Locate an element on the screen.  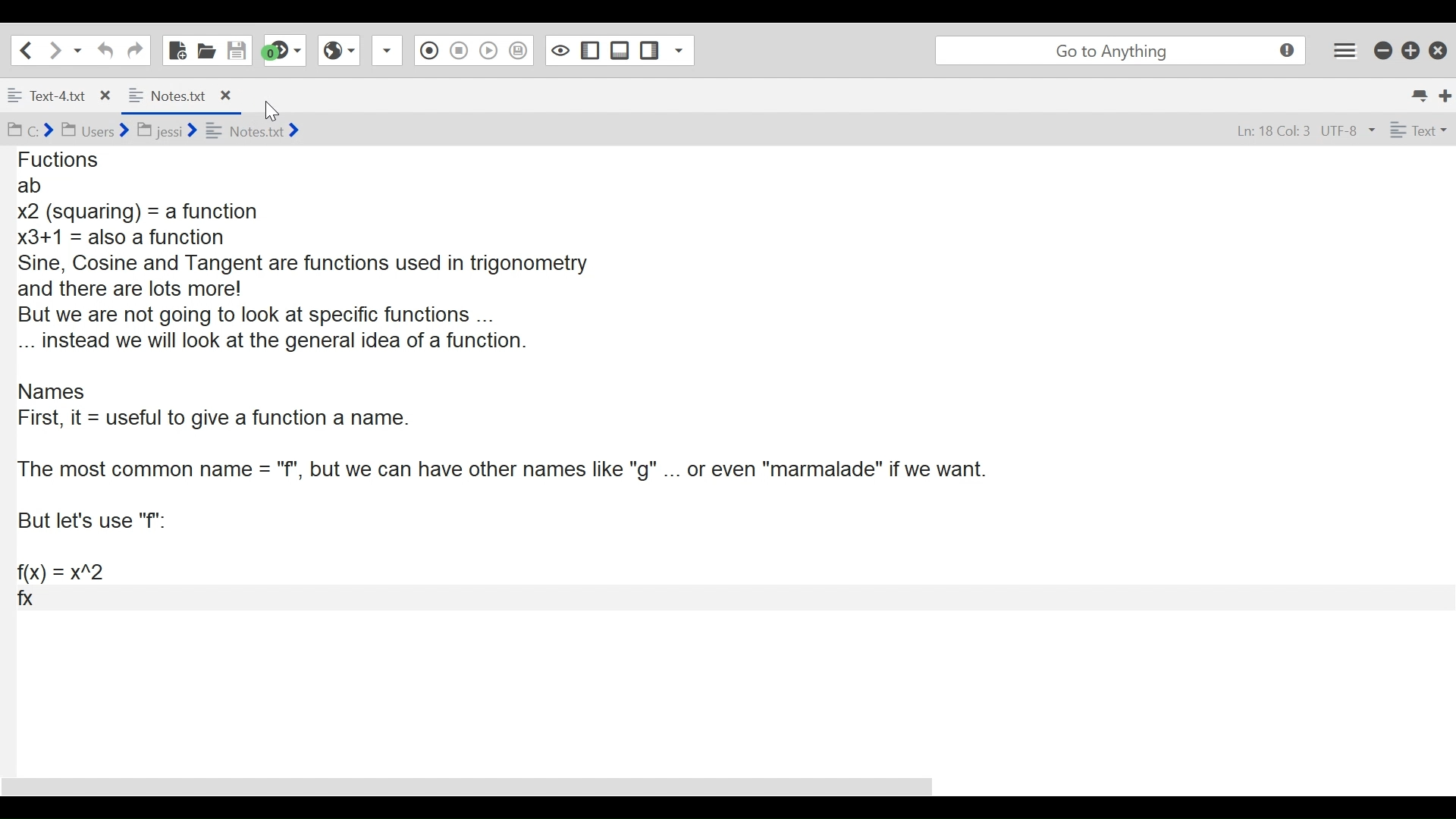
close is located at coordinates (224, 94).